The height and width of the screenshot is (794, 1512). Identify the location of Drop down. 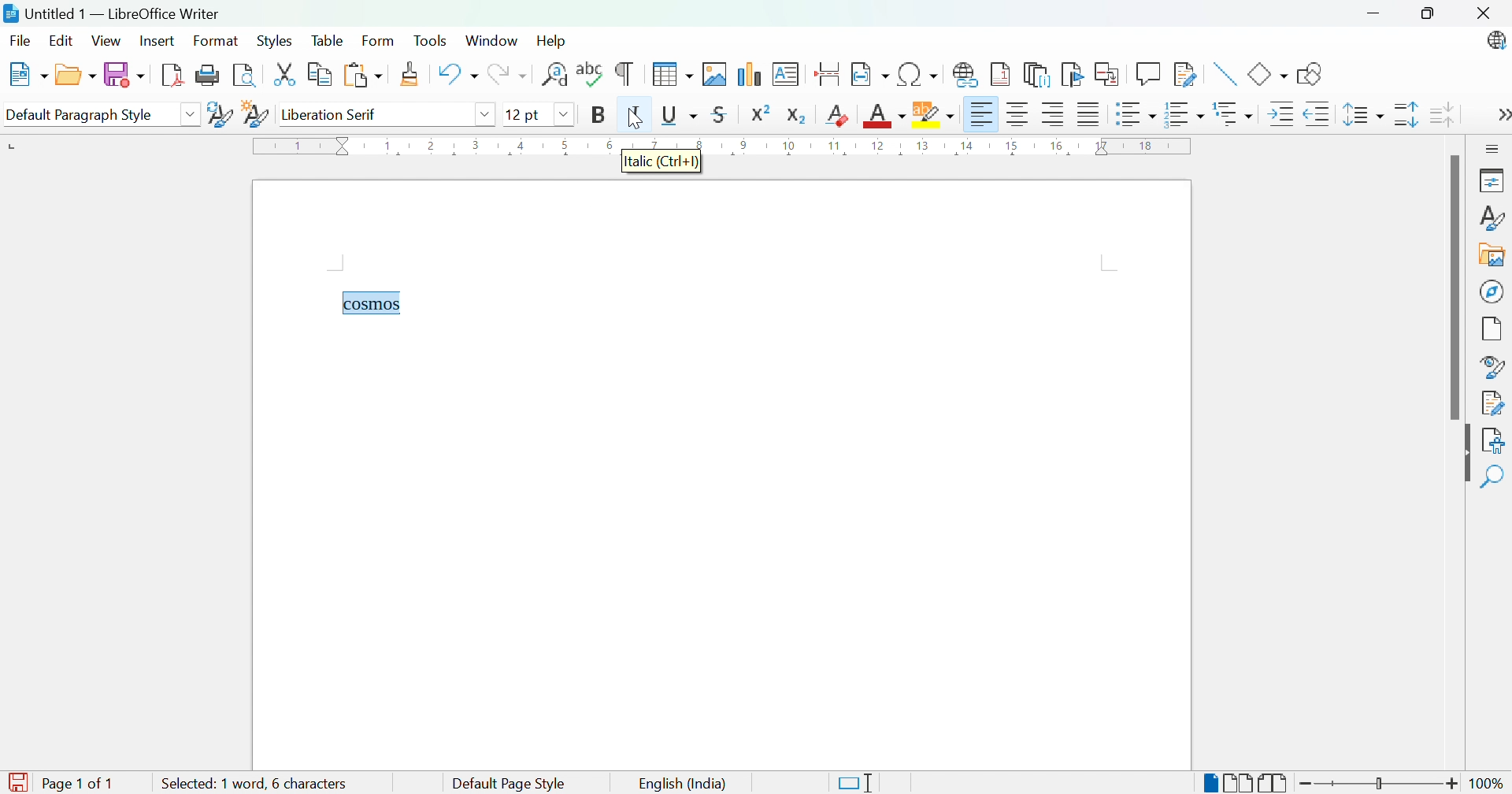
(194, 112).